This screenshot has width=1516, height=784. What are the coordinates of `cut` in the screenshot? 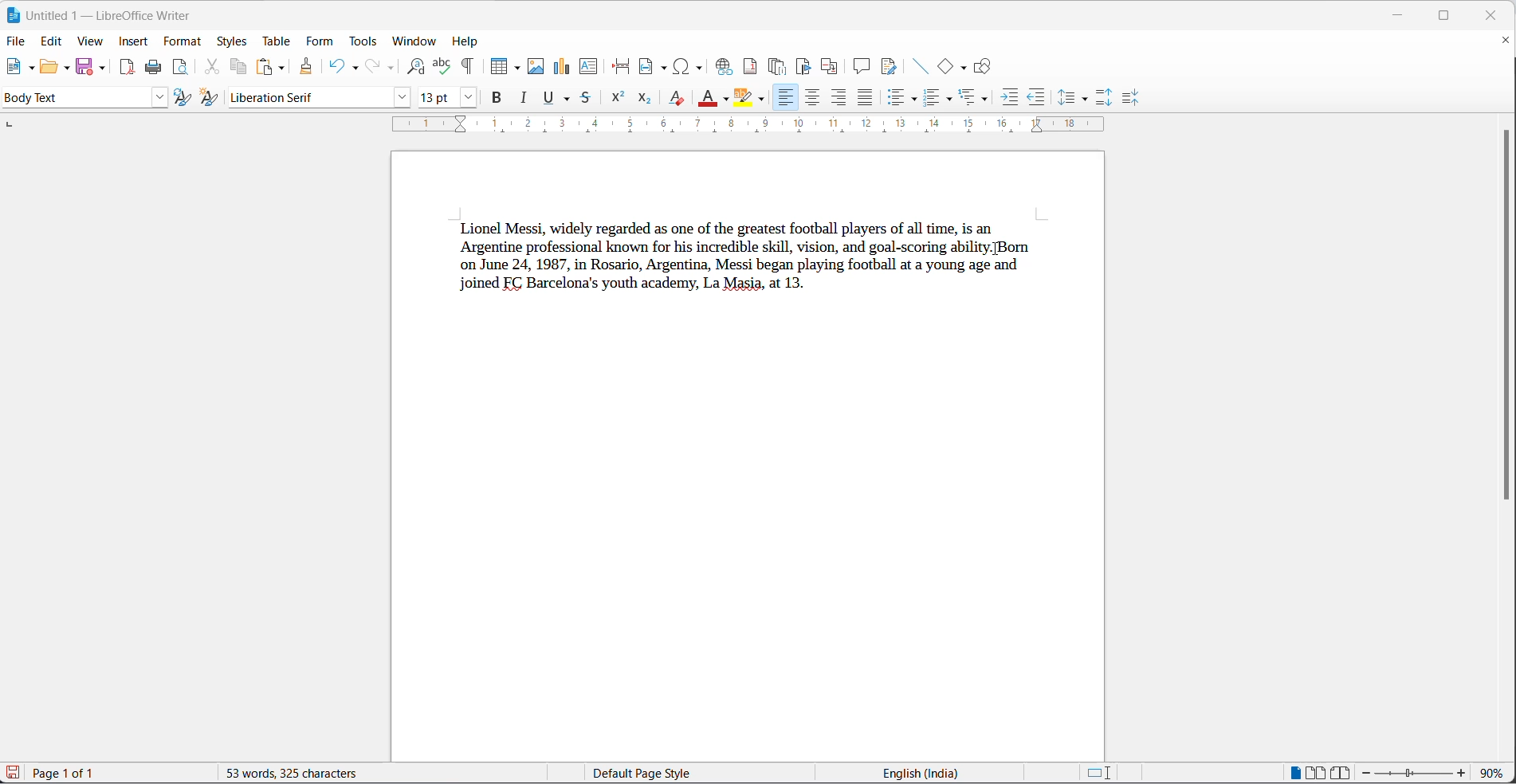 It's located at (208, 68).